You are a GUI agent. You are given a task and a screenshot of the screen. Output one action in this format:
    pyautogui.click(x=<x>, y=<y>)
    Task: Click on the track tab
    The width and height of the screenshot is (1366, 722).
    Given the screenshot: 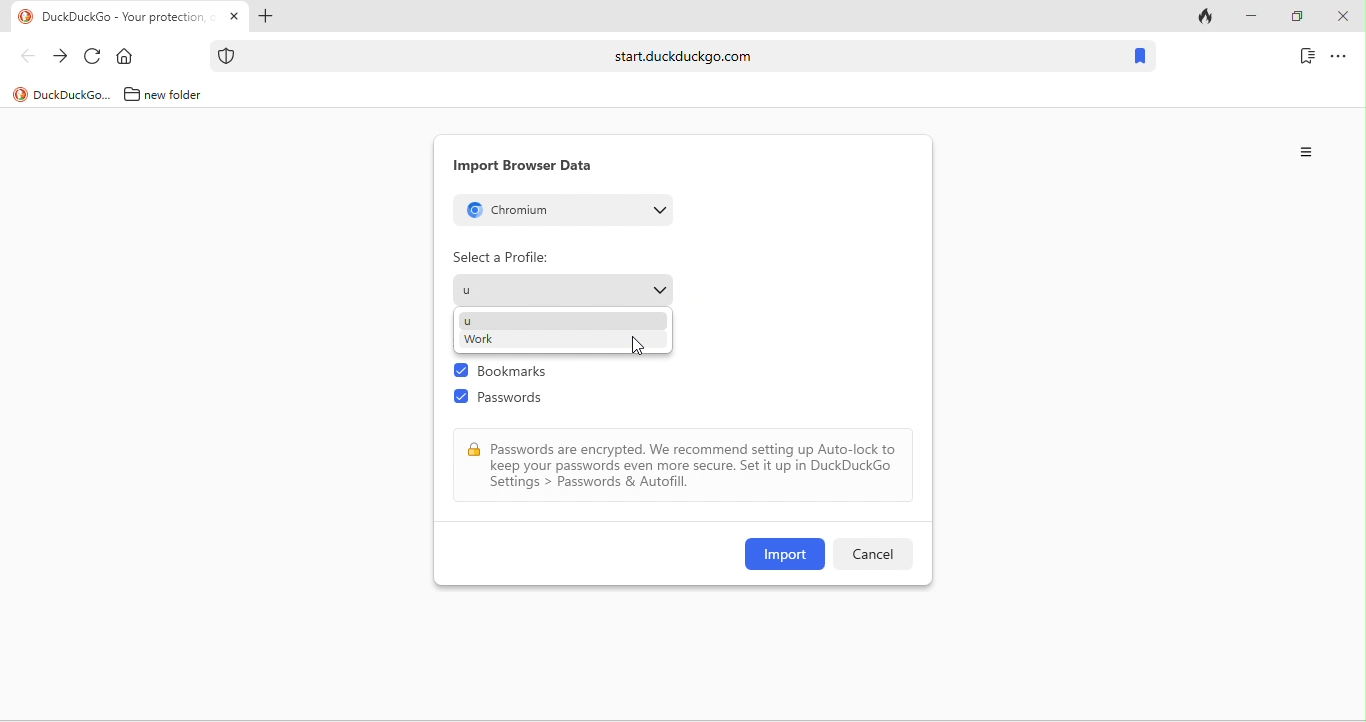 What is the action you would take?
    pyautogui.click(x=1208, y=18)
    